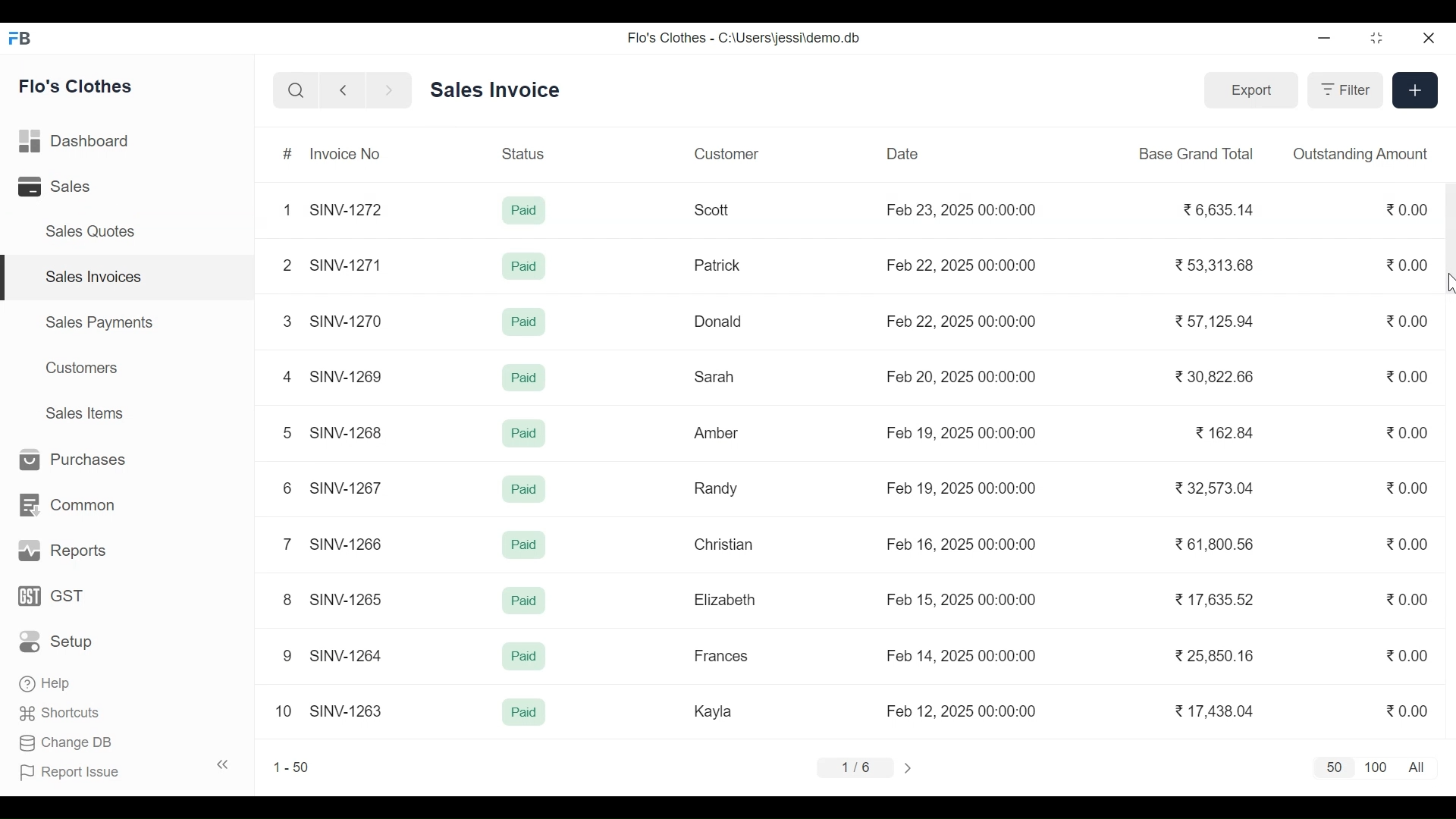 The width and height of the screenshot is (1456, 819). I want to click on Feb 22, 2025 00:00:00, so click(965, 263).